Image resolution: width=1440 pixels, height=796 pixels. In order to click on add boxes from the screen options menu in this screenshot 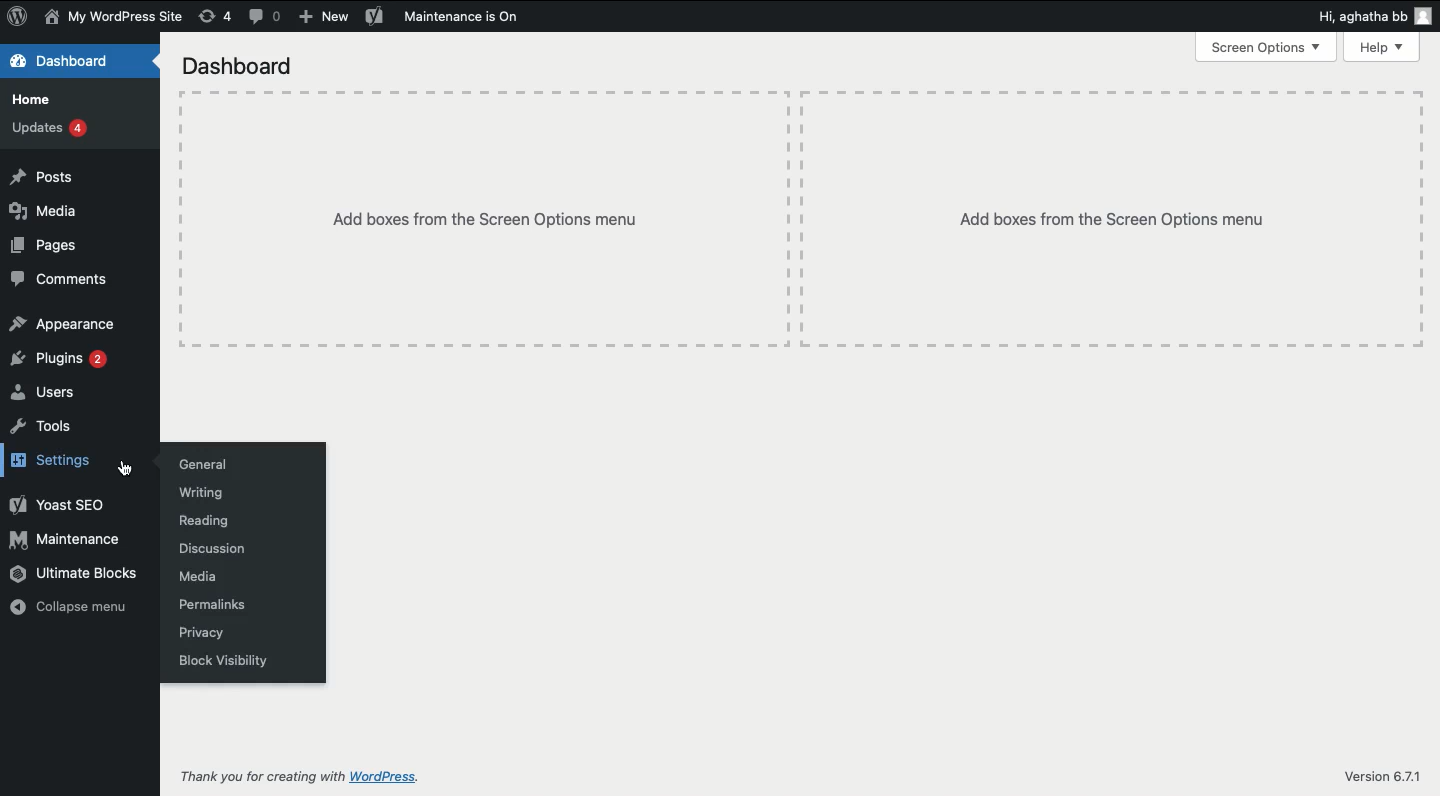, I will do `click(1117, 220)`.